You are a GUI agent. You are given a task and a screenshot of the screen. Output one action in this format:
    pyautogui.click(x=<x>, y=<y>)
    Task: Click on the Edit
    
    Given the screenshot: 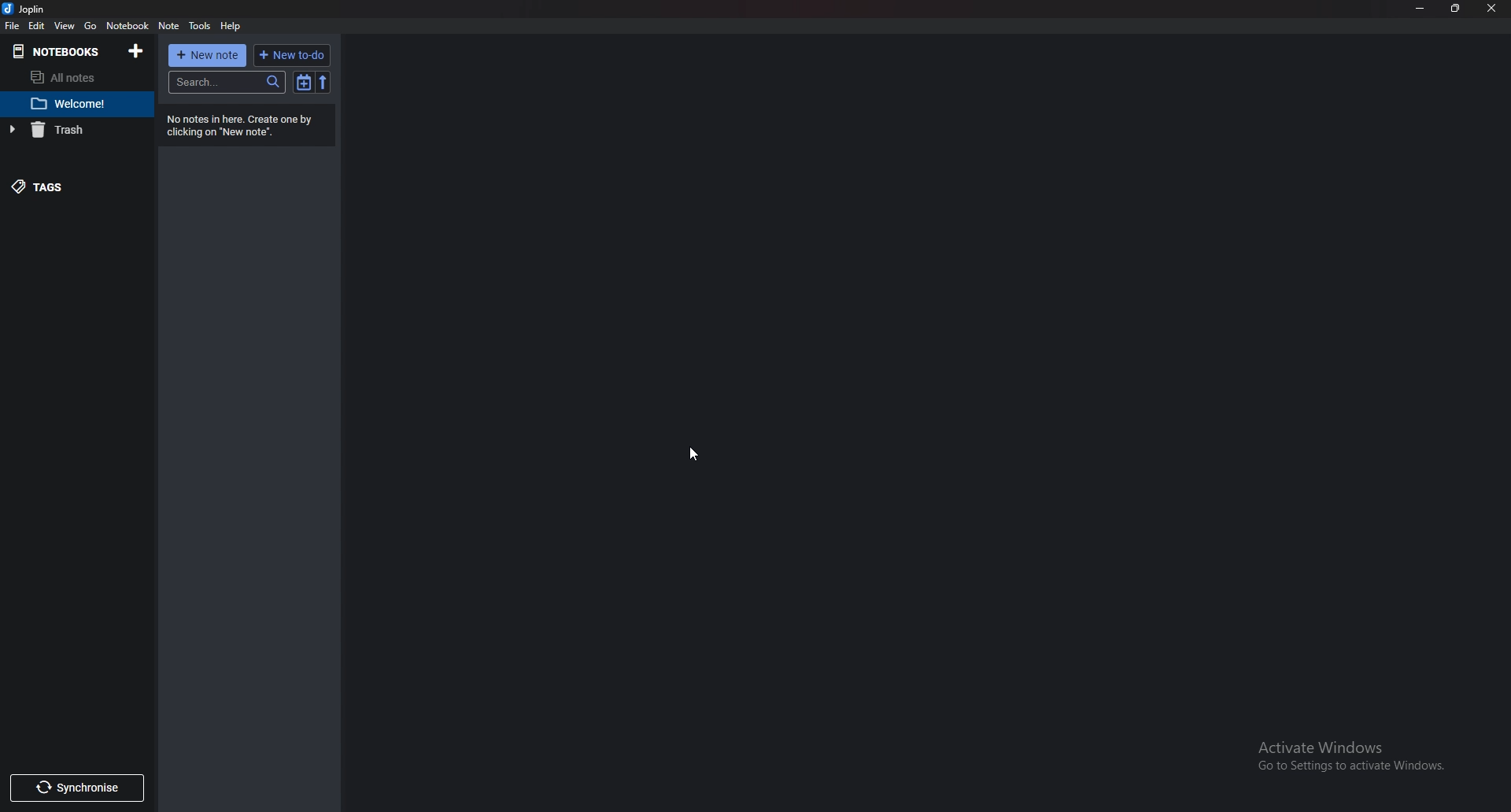 What is the action you would take?
    pyautogui.click(x=37, y=26)
    